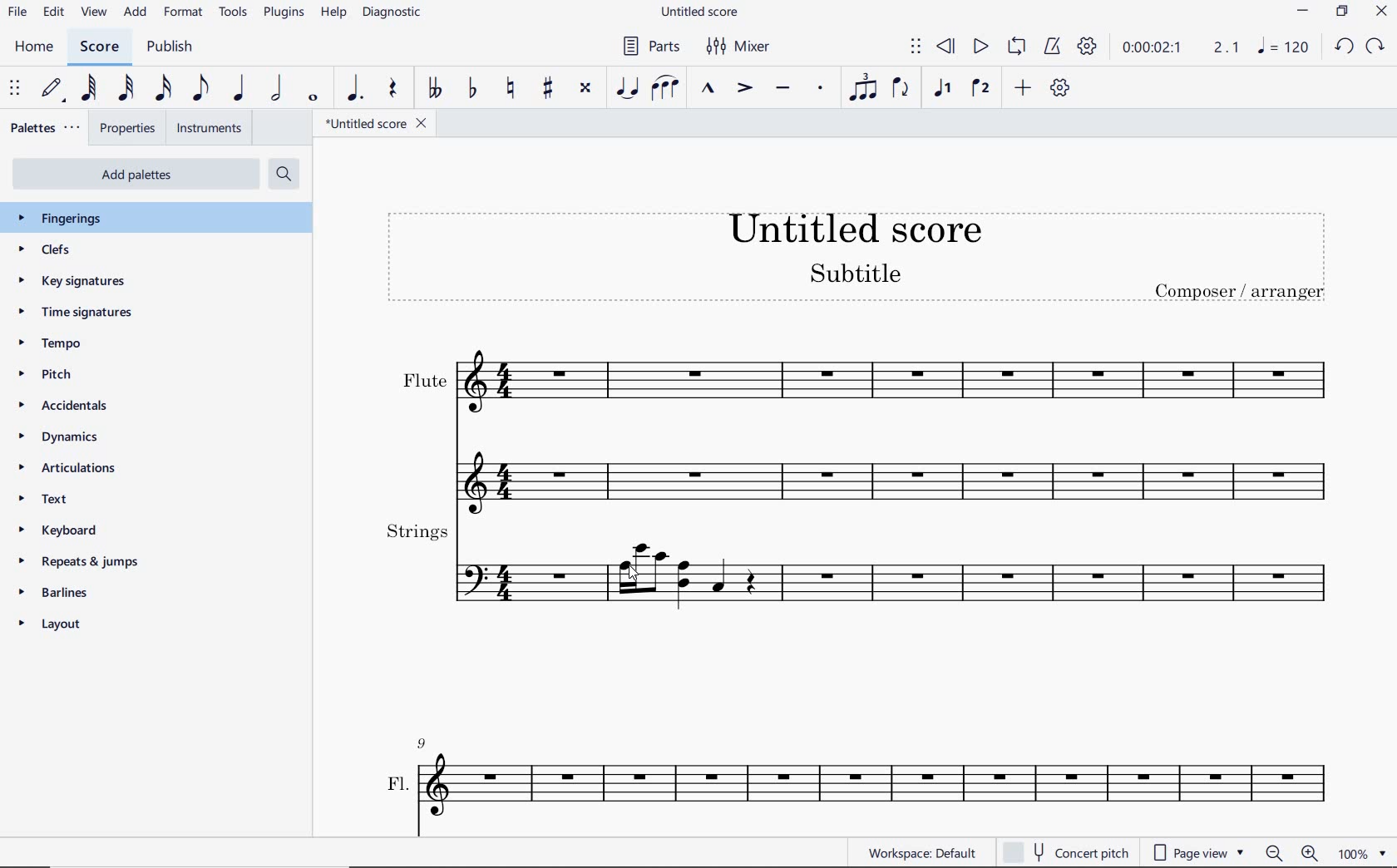  What do you see at coordinates (1088, 47) in the screenshot?
I see `playback settings` at bounding box center [1088, 47].